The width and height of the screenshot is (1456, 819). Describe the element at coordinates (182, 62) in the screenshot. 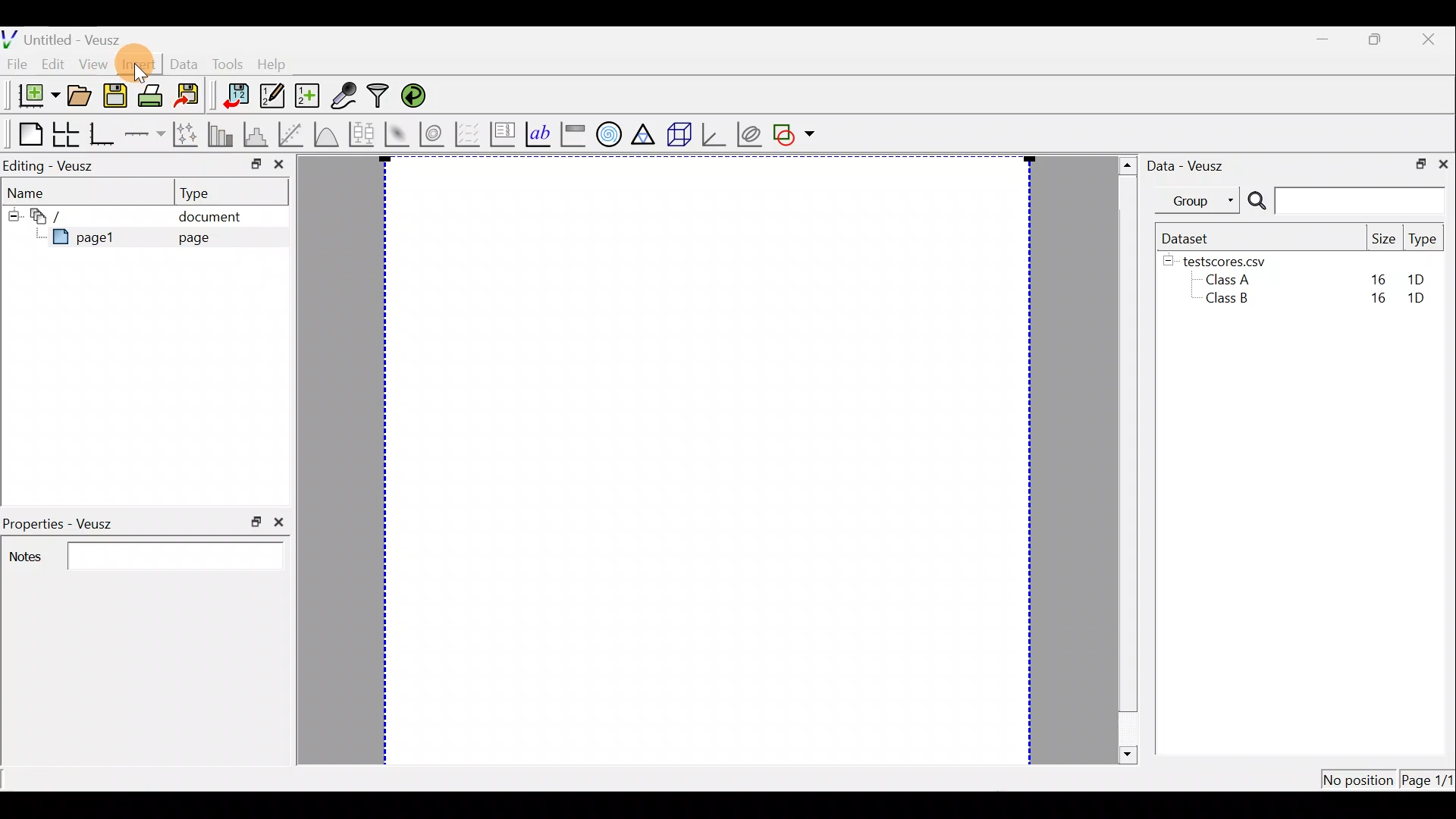

I see `Data` at that location.